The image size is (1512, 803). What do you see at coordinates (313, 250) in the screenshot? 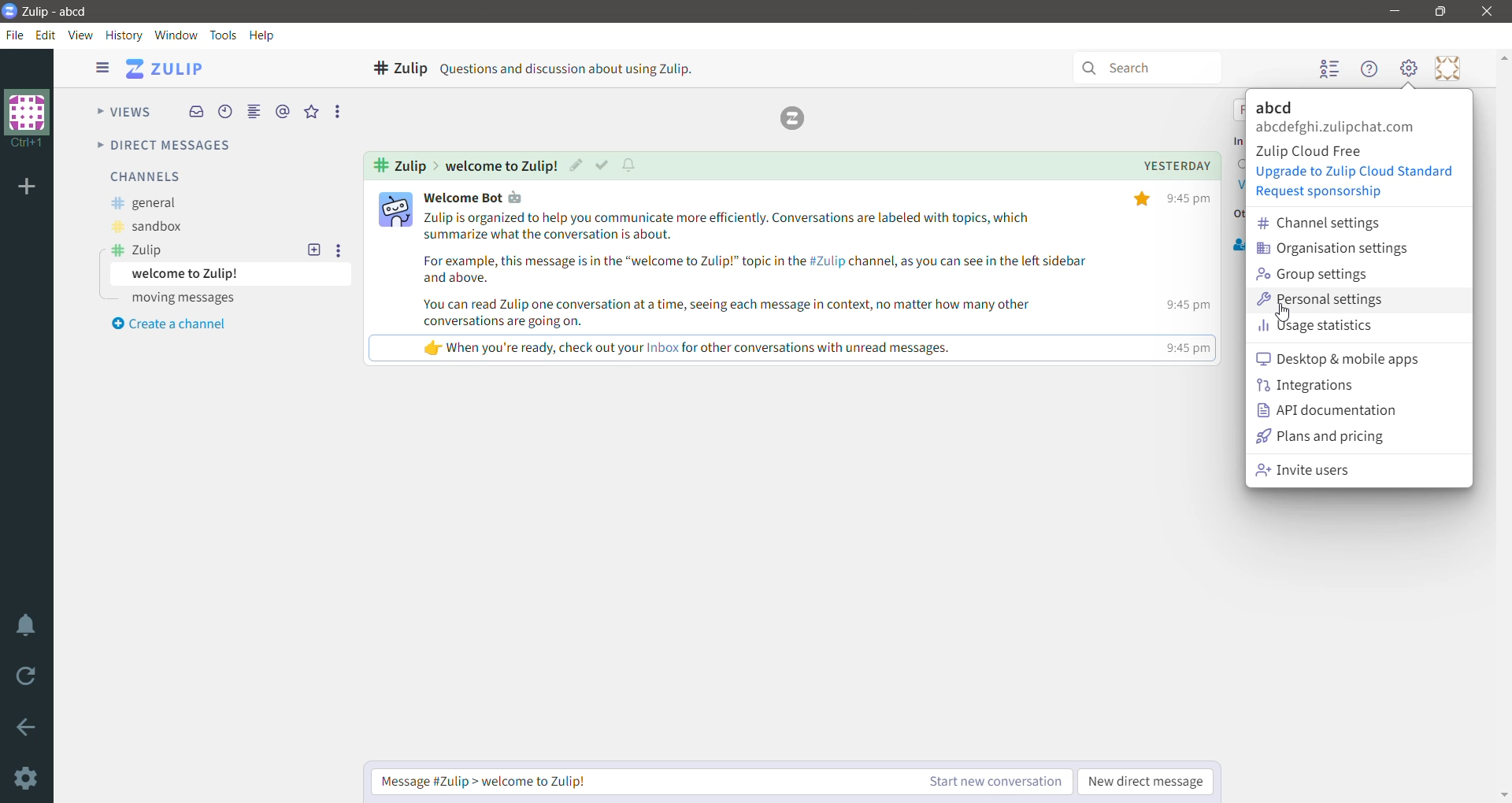
I see `New topic` at bounding box center [313, 250].